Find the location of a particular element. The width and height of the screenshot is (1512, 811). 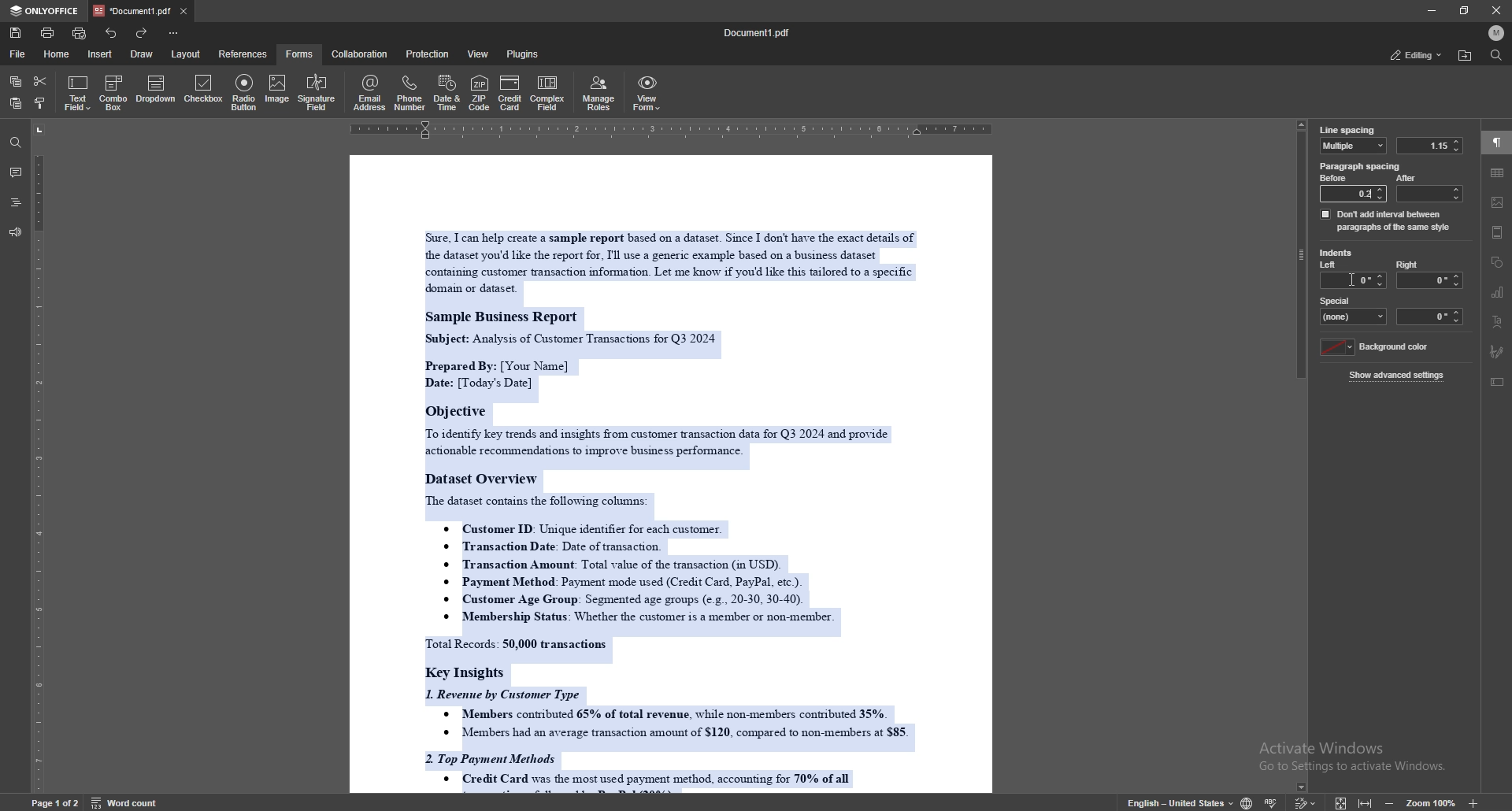

line spacing value is located at coordinates (1429, 146).